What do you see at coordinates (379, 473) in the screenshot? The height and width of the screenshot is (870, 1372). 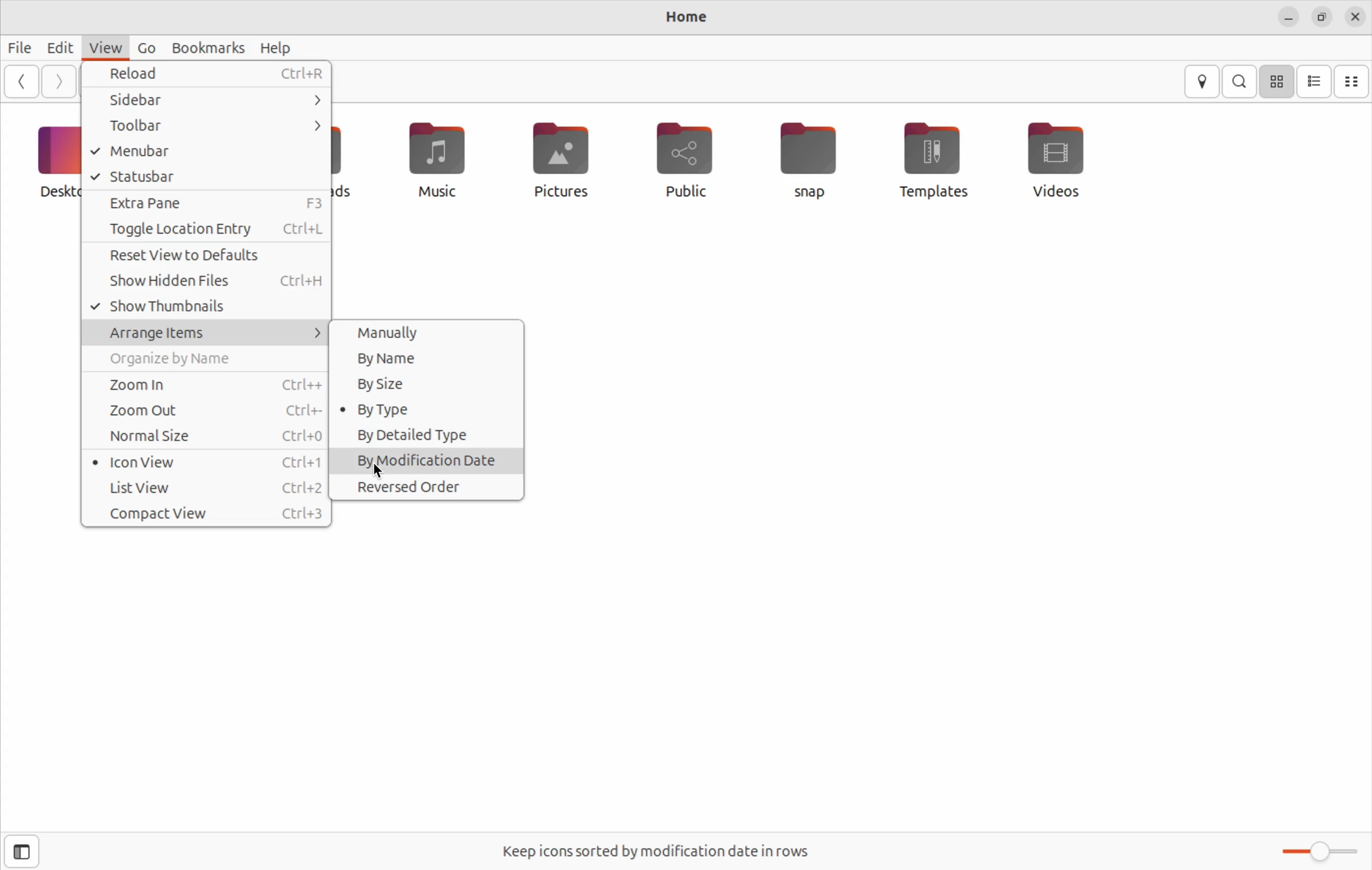 I see `Cursor` at bounding box center [379, 473].